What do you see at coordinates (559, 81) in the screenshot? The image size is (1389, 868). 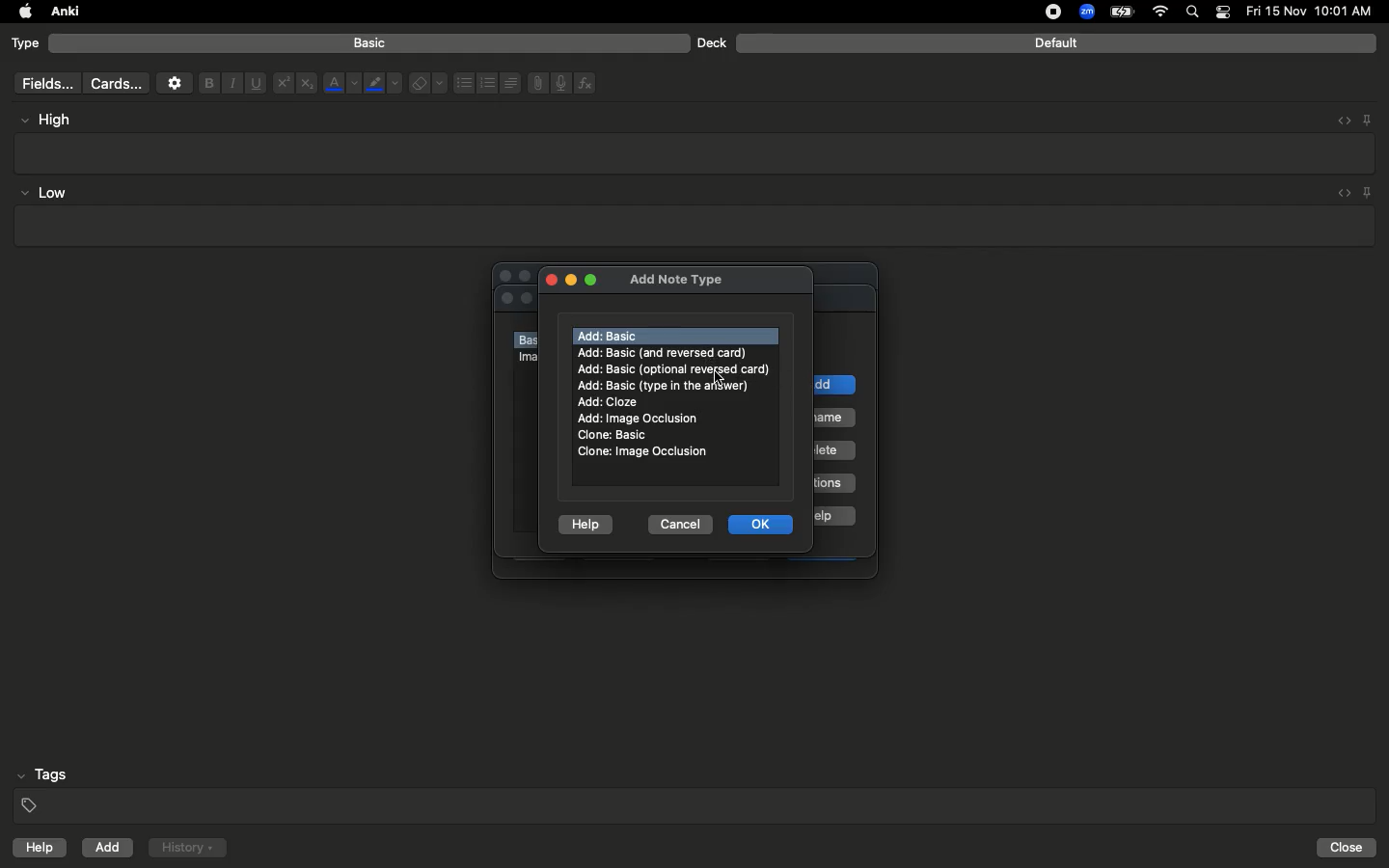 I see `Voice recorder` at bounding box center [559, 81].